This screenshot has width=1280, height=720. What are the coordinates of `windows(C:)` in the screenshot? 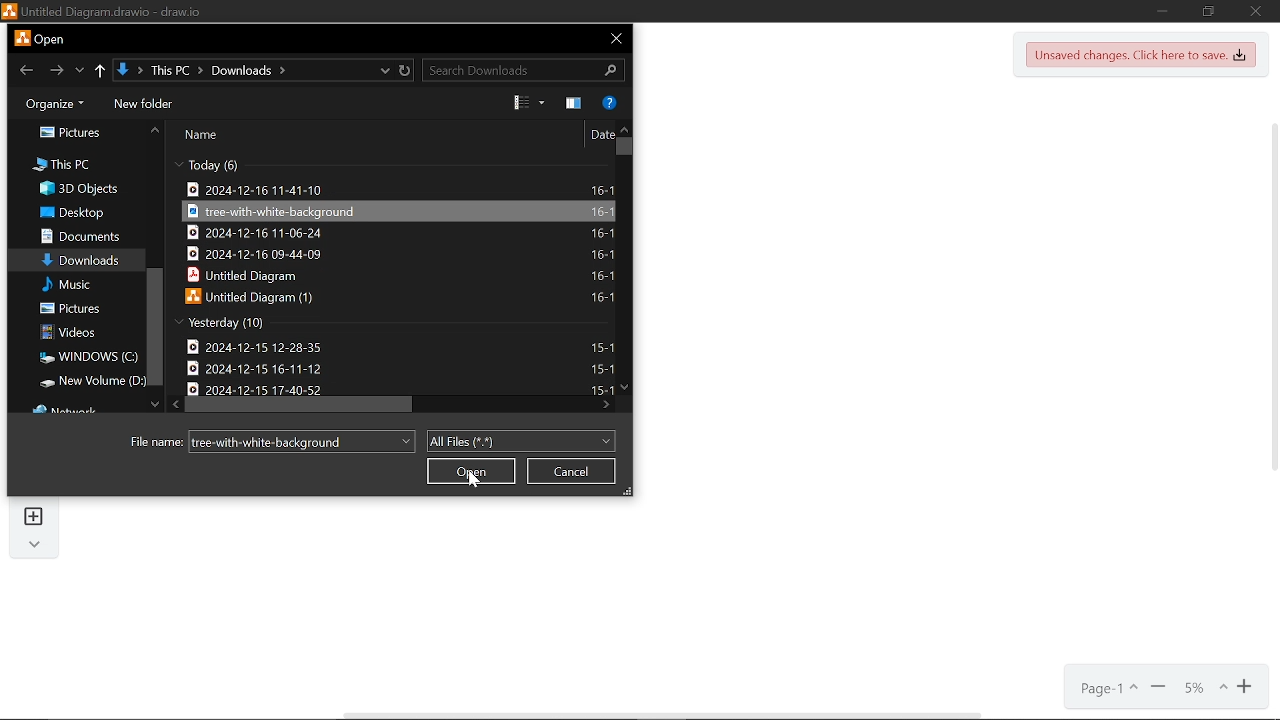 It's located at (83, 357).